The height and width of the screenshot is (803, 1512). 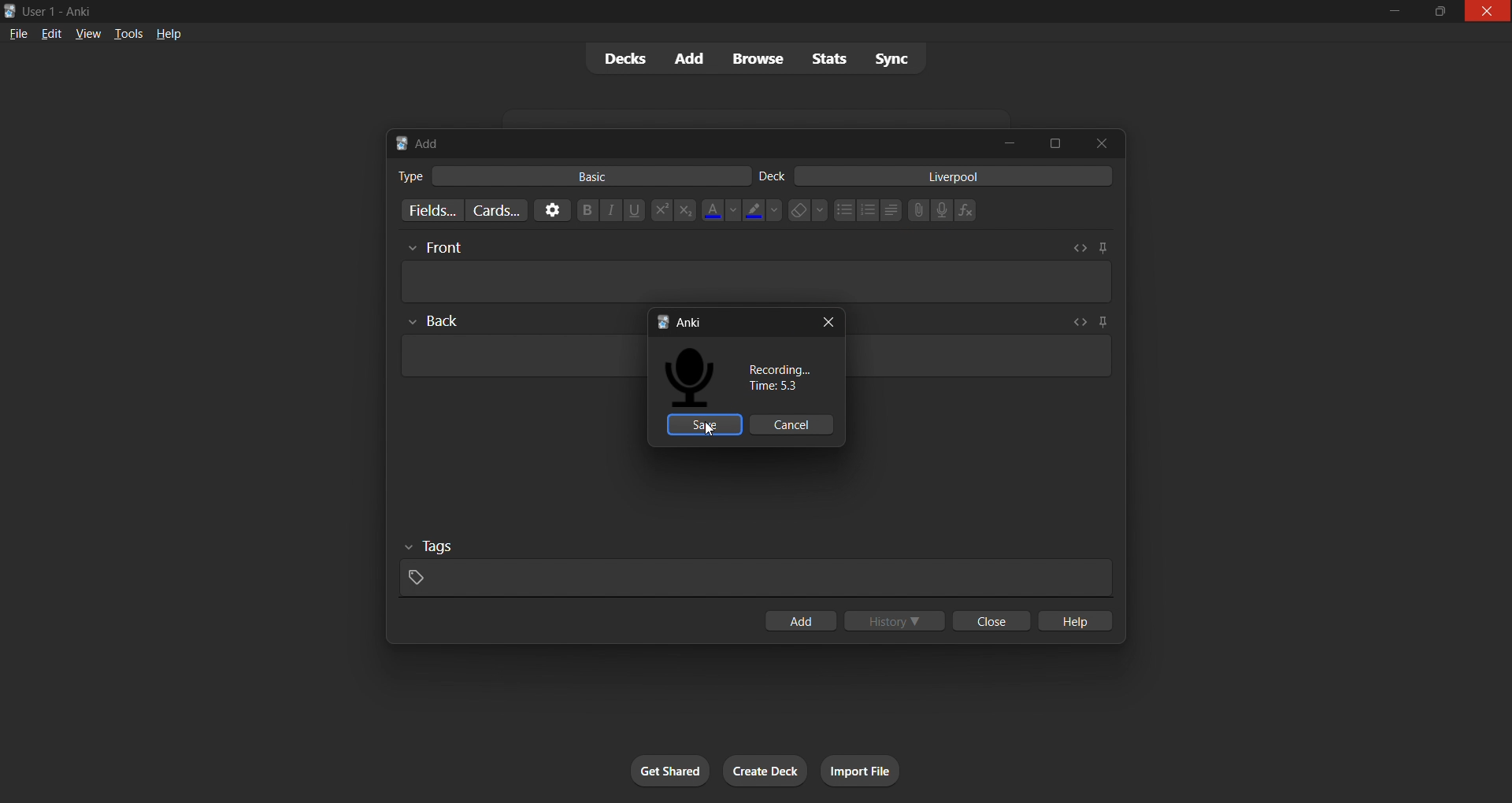 What do you see at coordinates (831, 320) in the screenshot?
I see `close` at bounding box center [831, 320].